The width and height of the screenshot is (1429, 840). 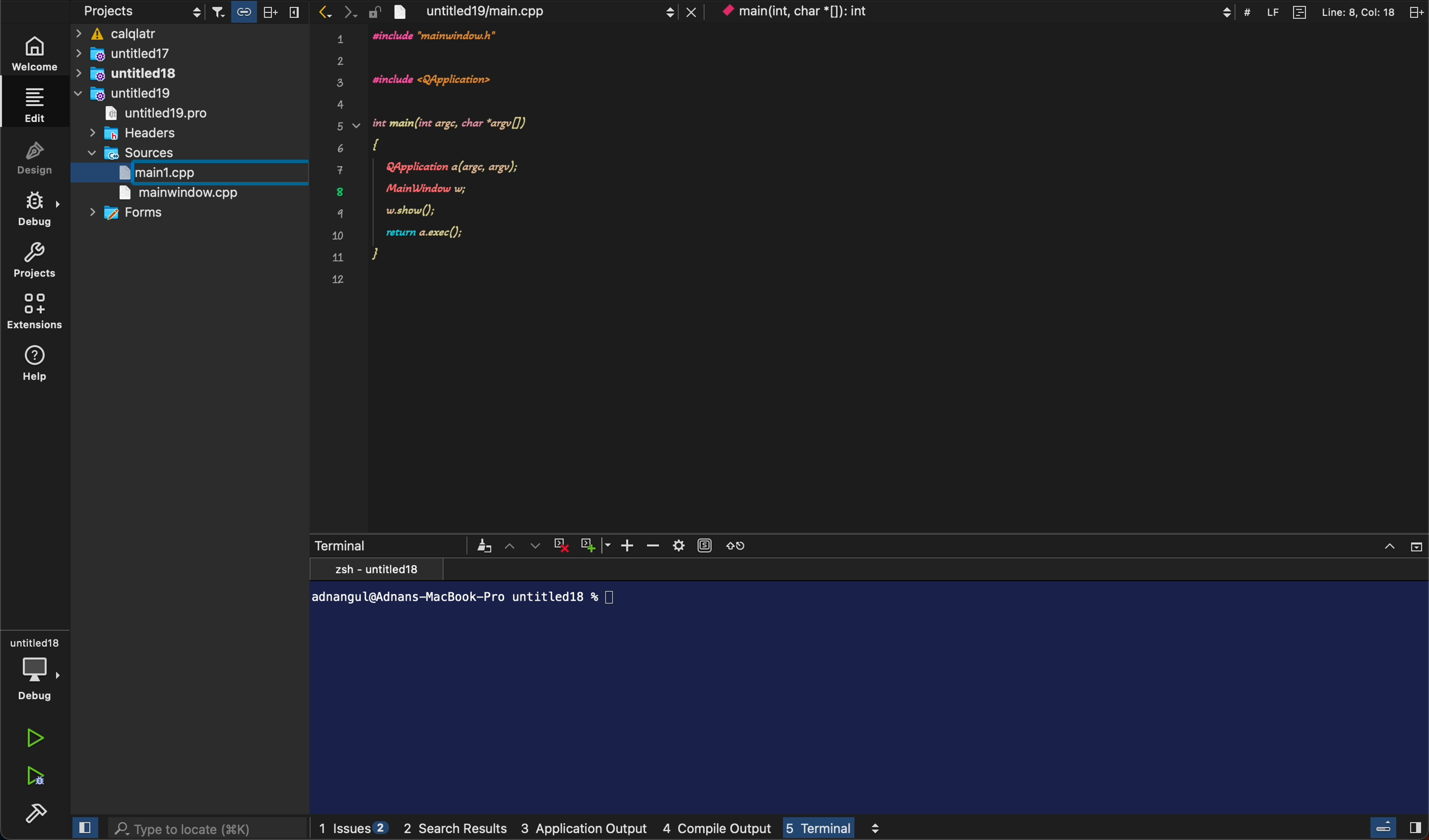 I want to click on Terminal , so click(x=341, y=544).